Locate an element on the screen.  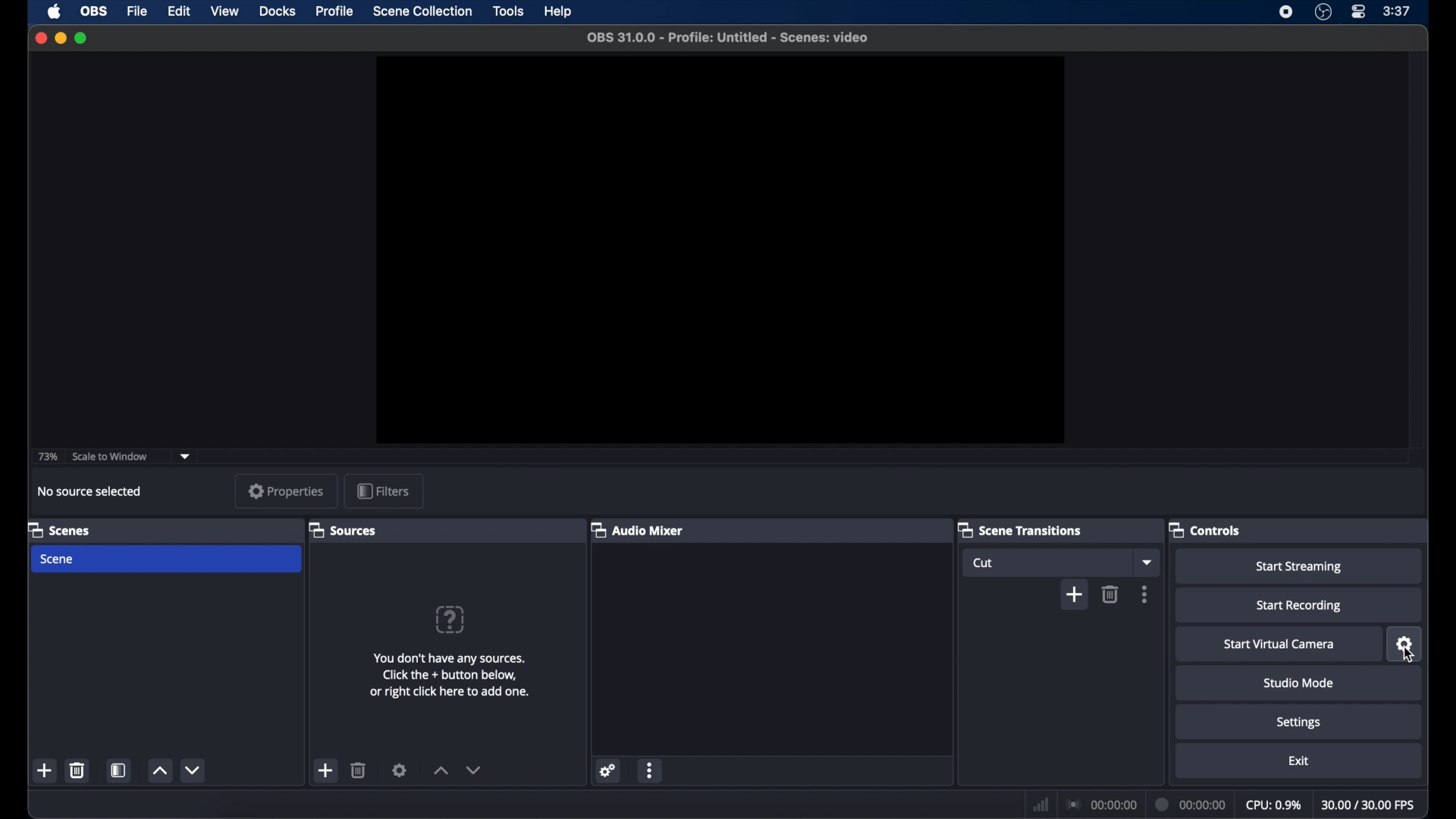
minimize is located at coordinates (60, 39).